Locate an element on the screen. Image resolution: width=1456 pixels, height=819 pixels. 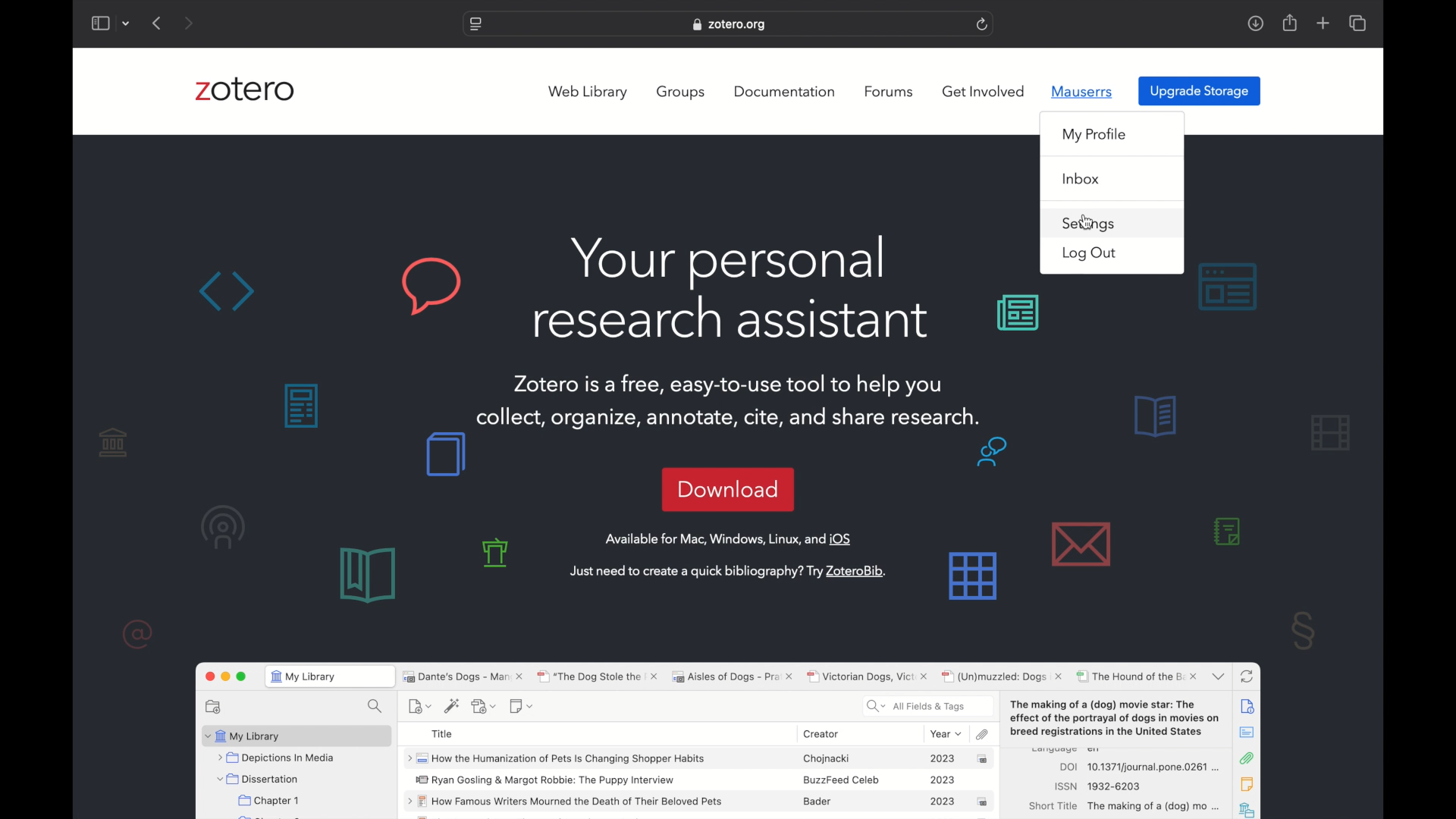
my profile is located at coordinates (1094, 136).